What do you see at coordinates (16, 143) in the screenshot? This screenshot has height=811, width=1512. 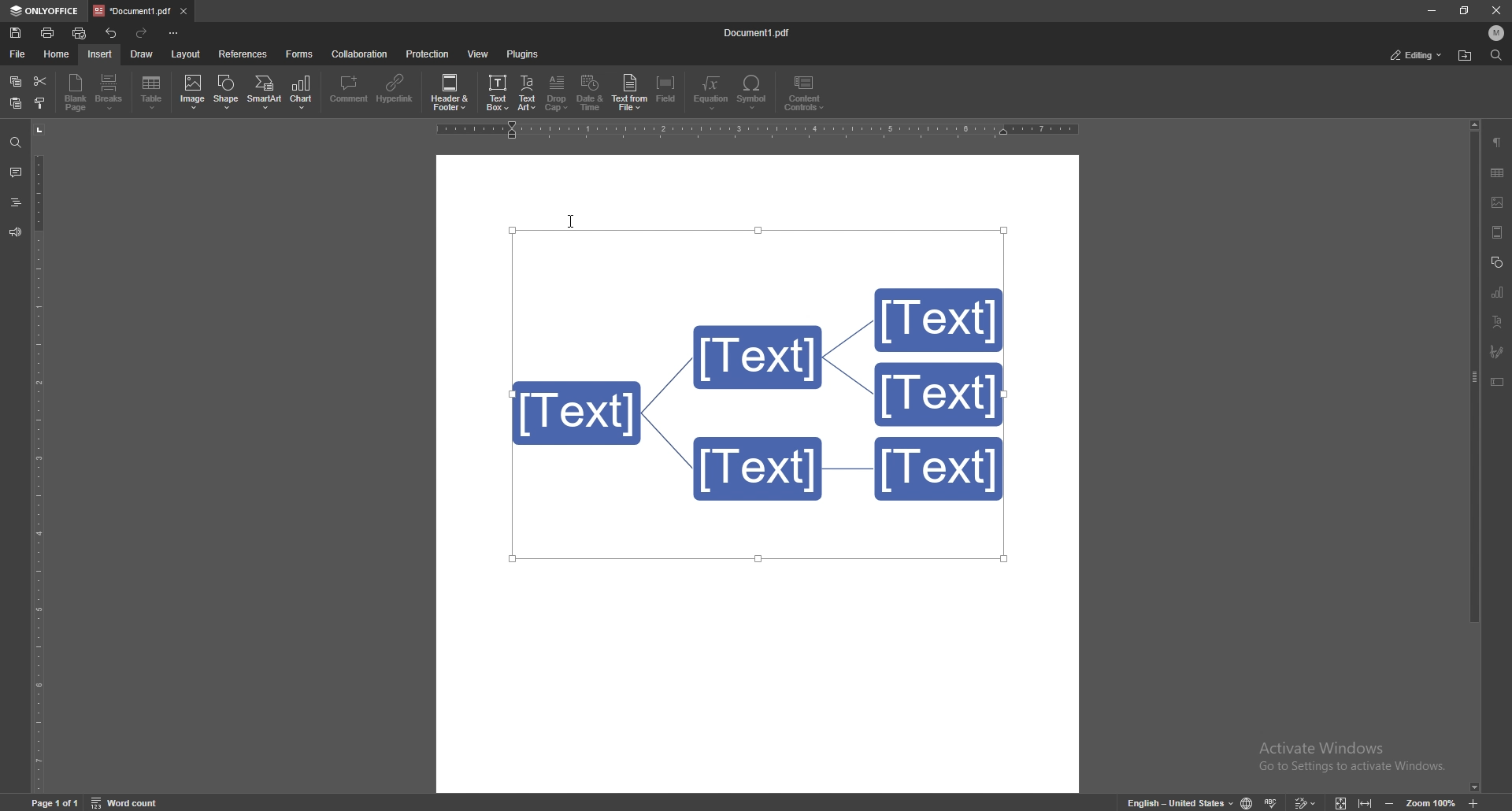 I see `find` at bounding box center [16, 143].